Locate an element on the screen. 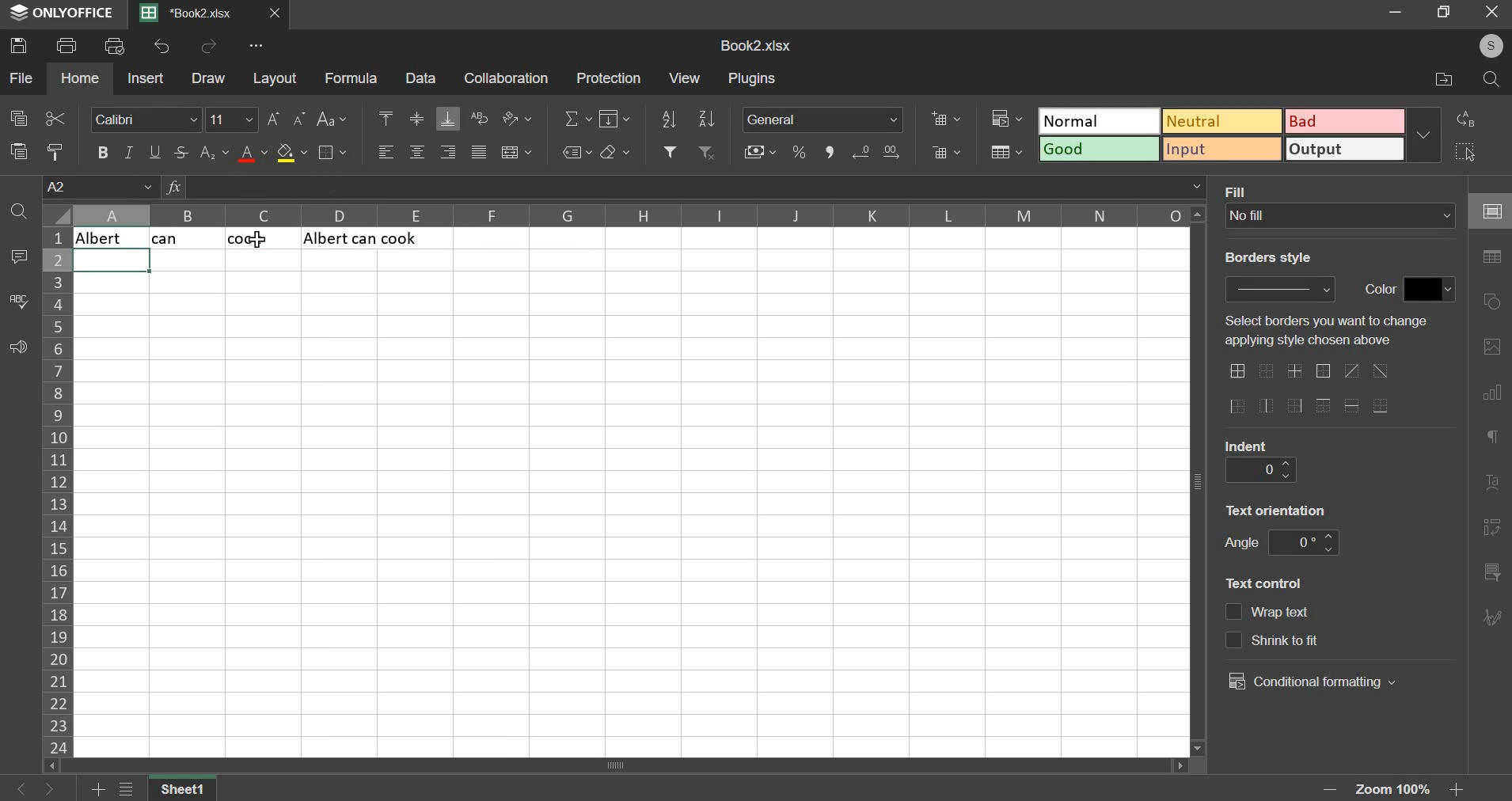 This screenshot has width=1512, height=801. scroll bar is located at coordinates (613, 766).